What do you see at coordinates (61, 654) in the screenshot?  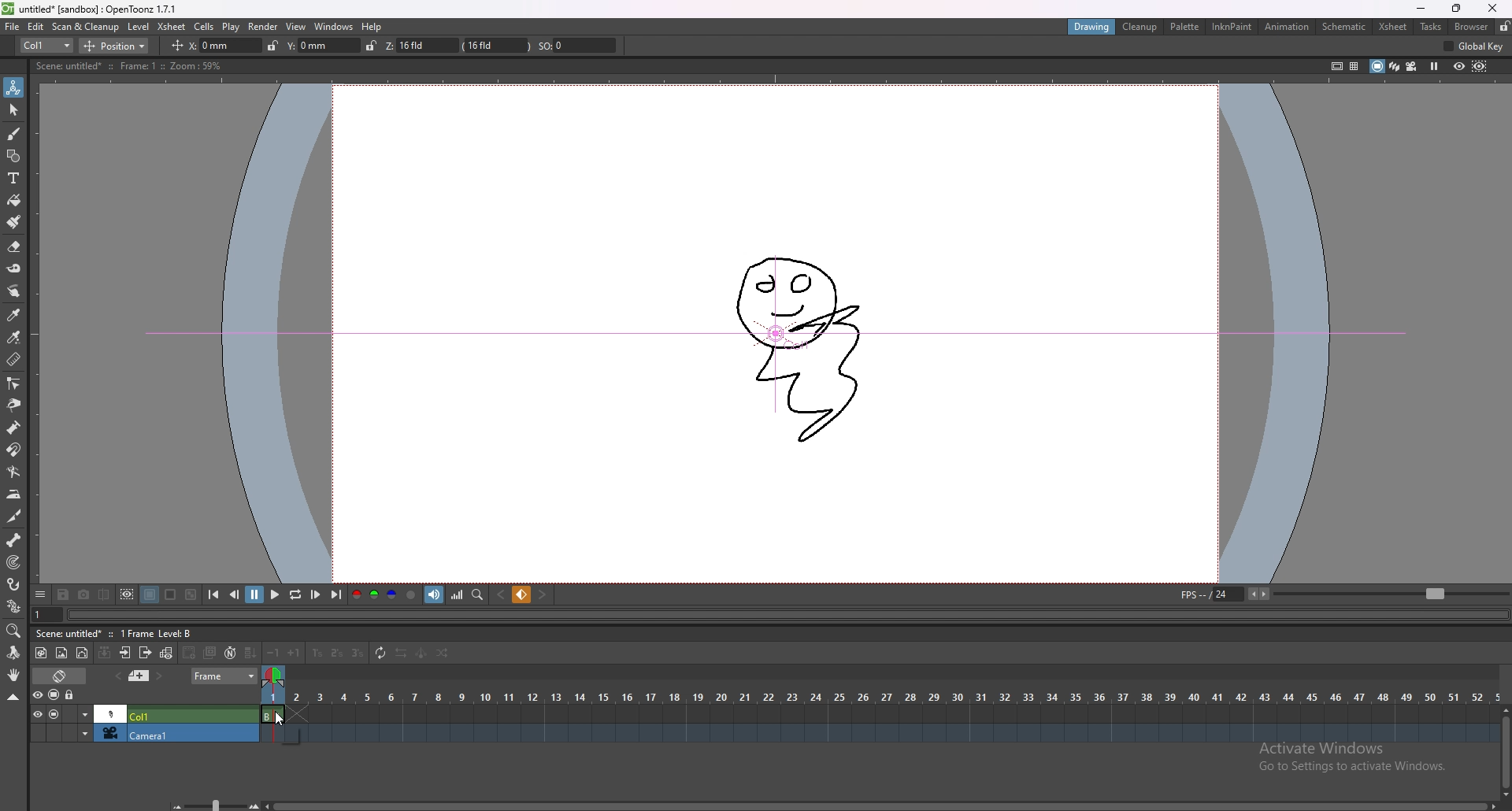 I see `new raster level` at bounding box center [61, 654].